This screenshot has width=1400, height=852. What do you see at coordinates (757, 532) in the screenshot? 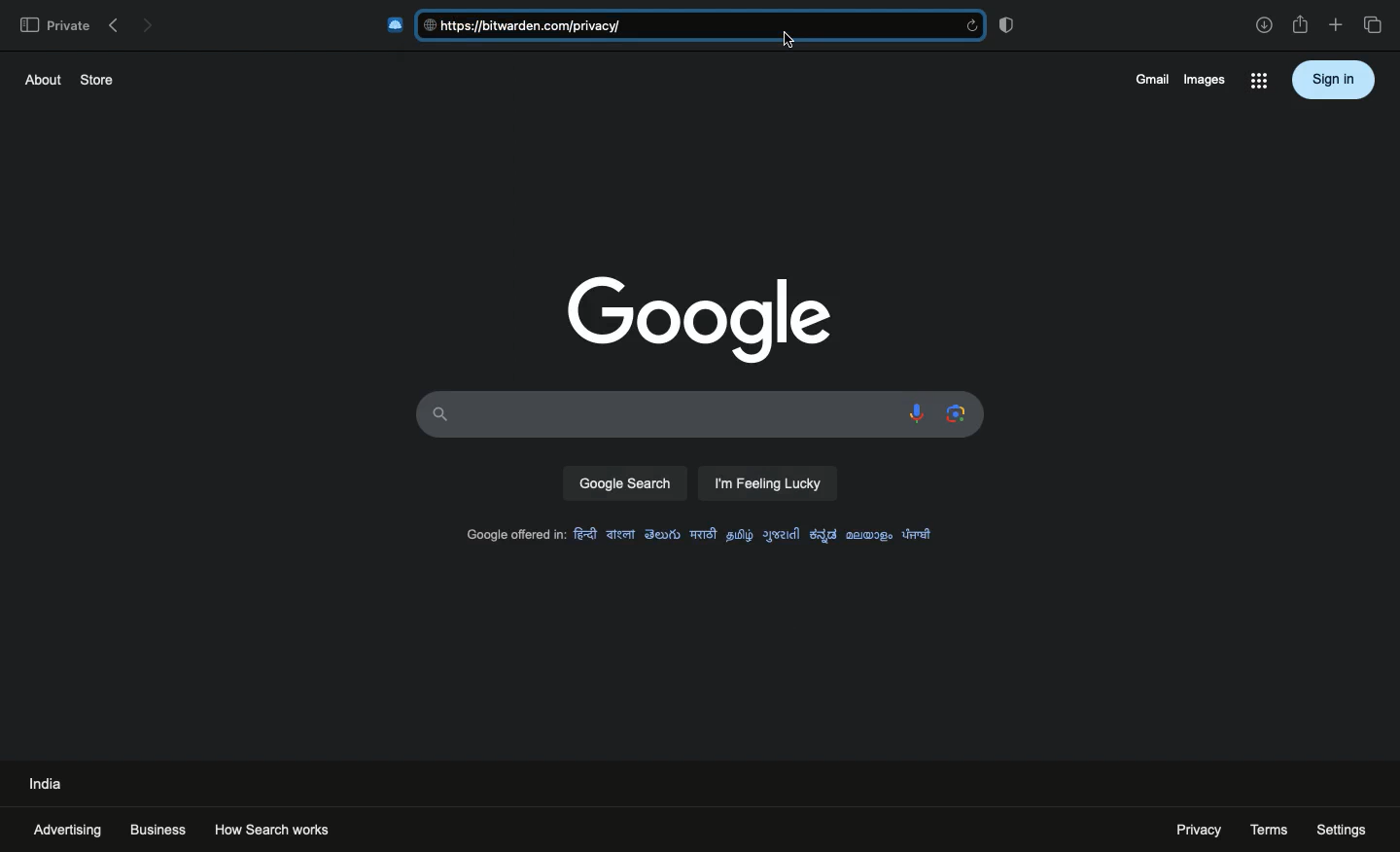
I see `languages ` at bounding box center [757, 532].